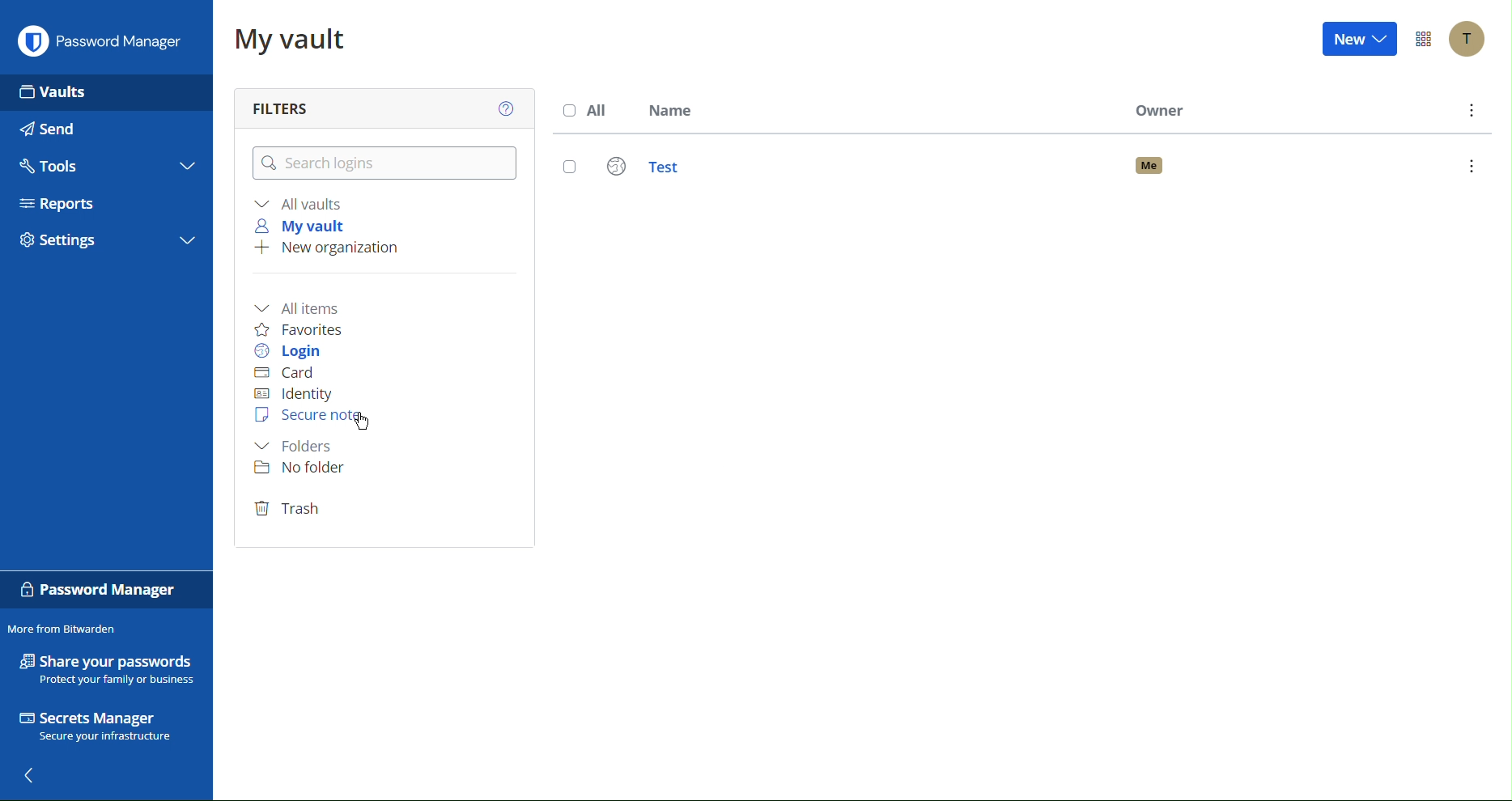  What do you see at coordinates (293, 350) in the screenshot?
I see `Login` at bounding box center [293, 350].